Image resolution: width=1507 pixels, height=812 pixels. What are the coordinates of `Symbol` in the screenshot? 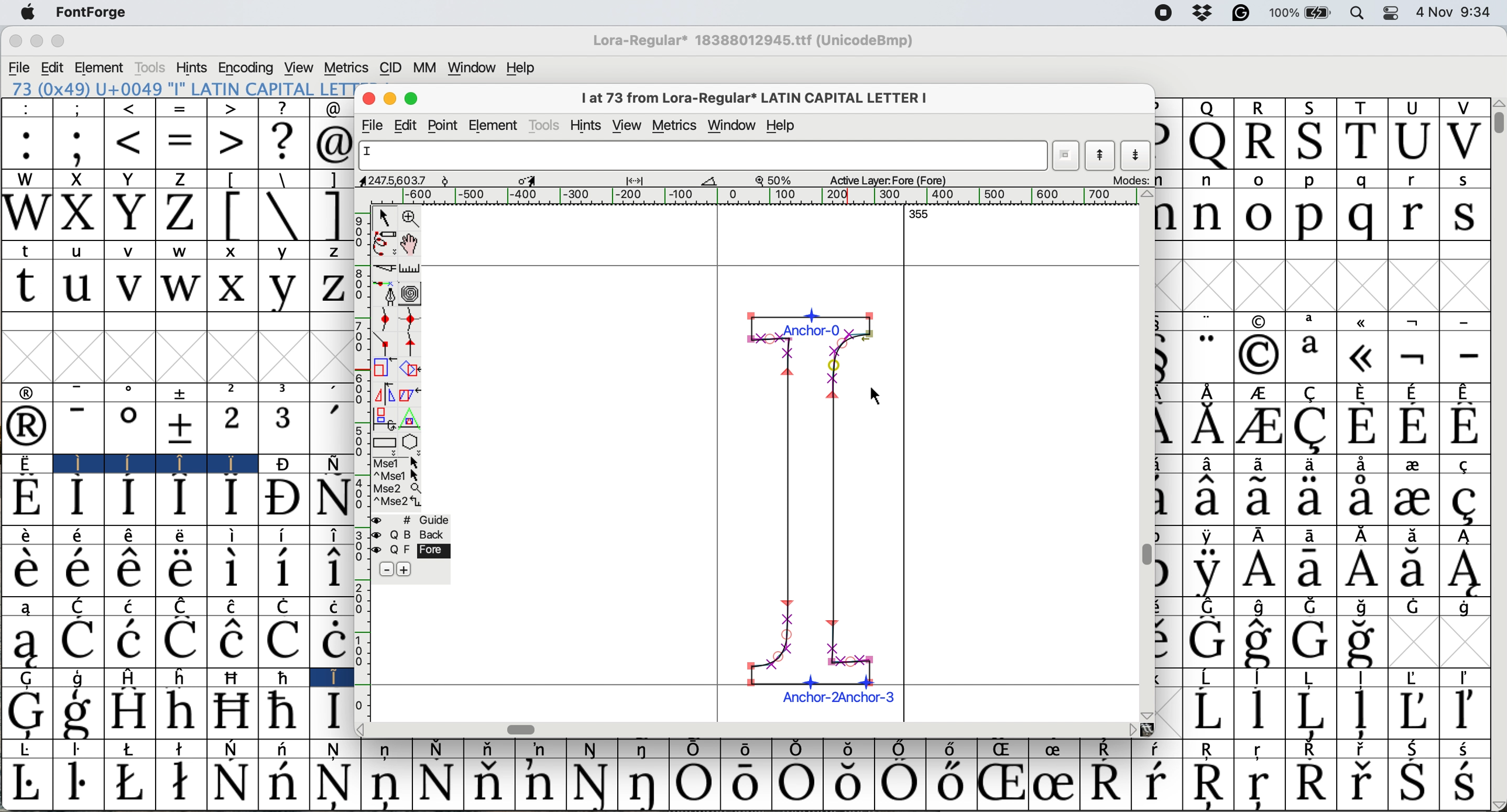 It's located at (848, 783).